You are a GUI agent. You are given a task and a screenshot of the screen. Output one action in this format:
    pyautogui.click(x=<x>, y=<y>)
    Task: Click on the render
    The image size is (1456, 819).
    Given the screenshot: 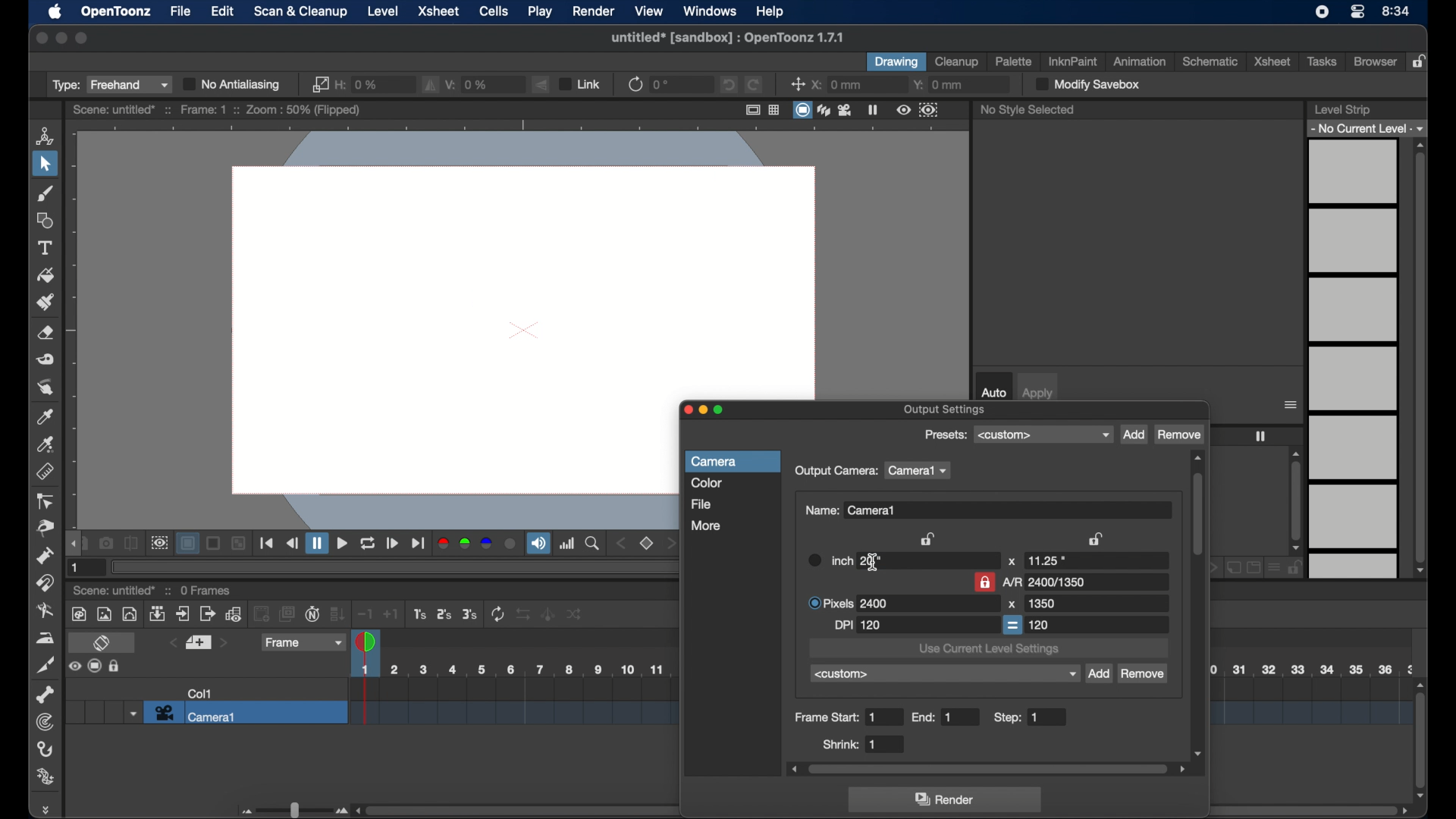 What is the action you would take?
    pyautogui.click(x=592, y=11)
    